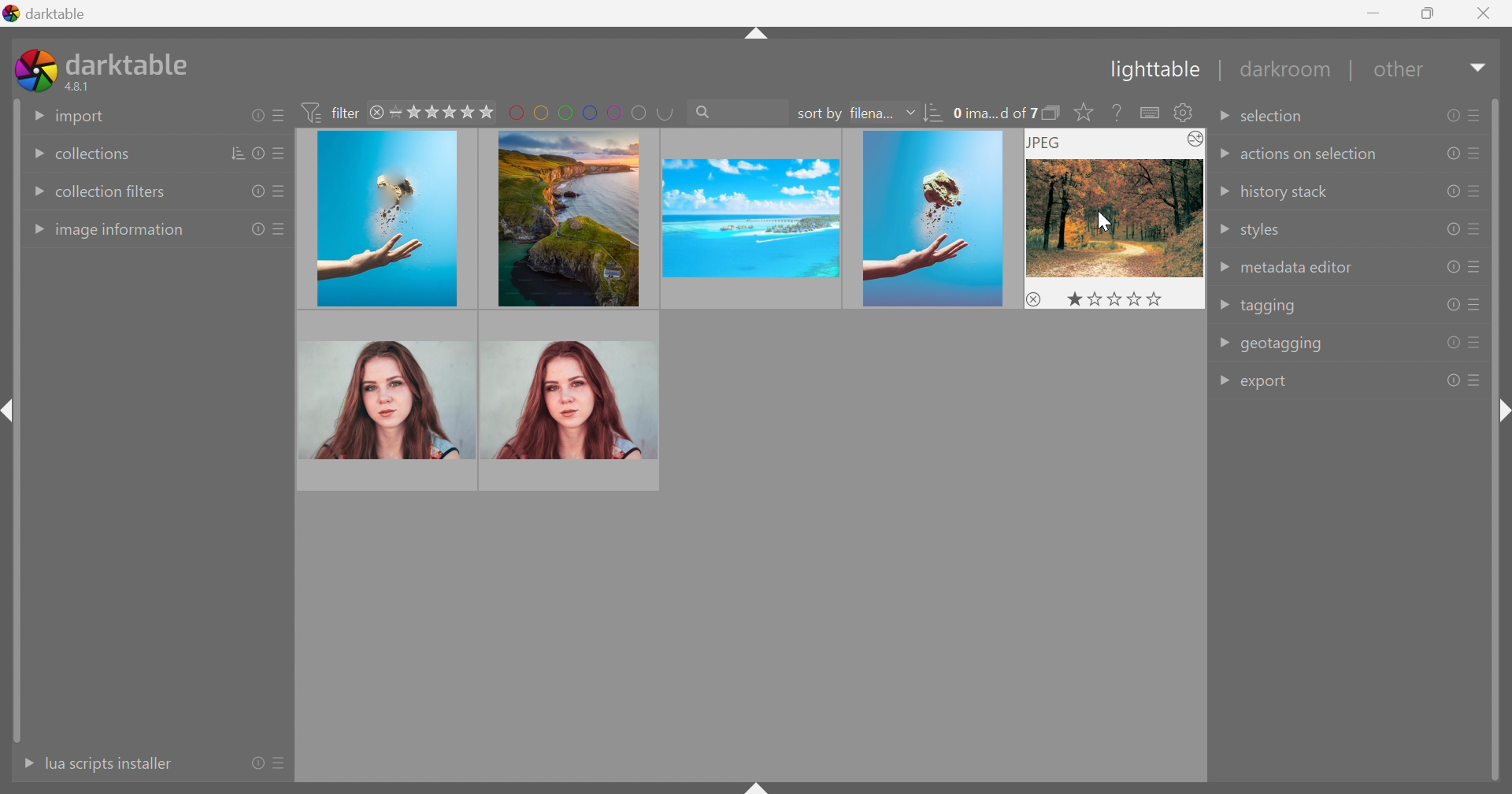 The image size is (1512, 794). What do you see at coordinates (1449, 153) in the screenshot?
I see `reset` at bounding box center [1449, 153].